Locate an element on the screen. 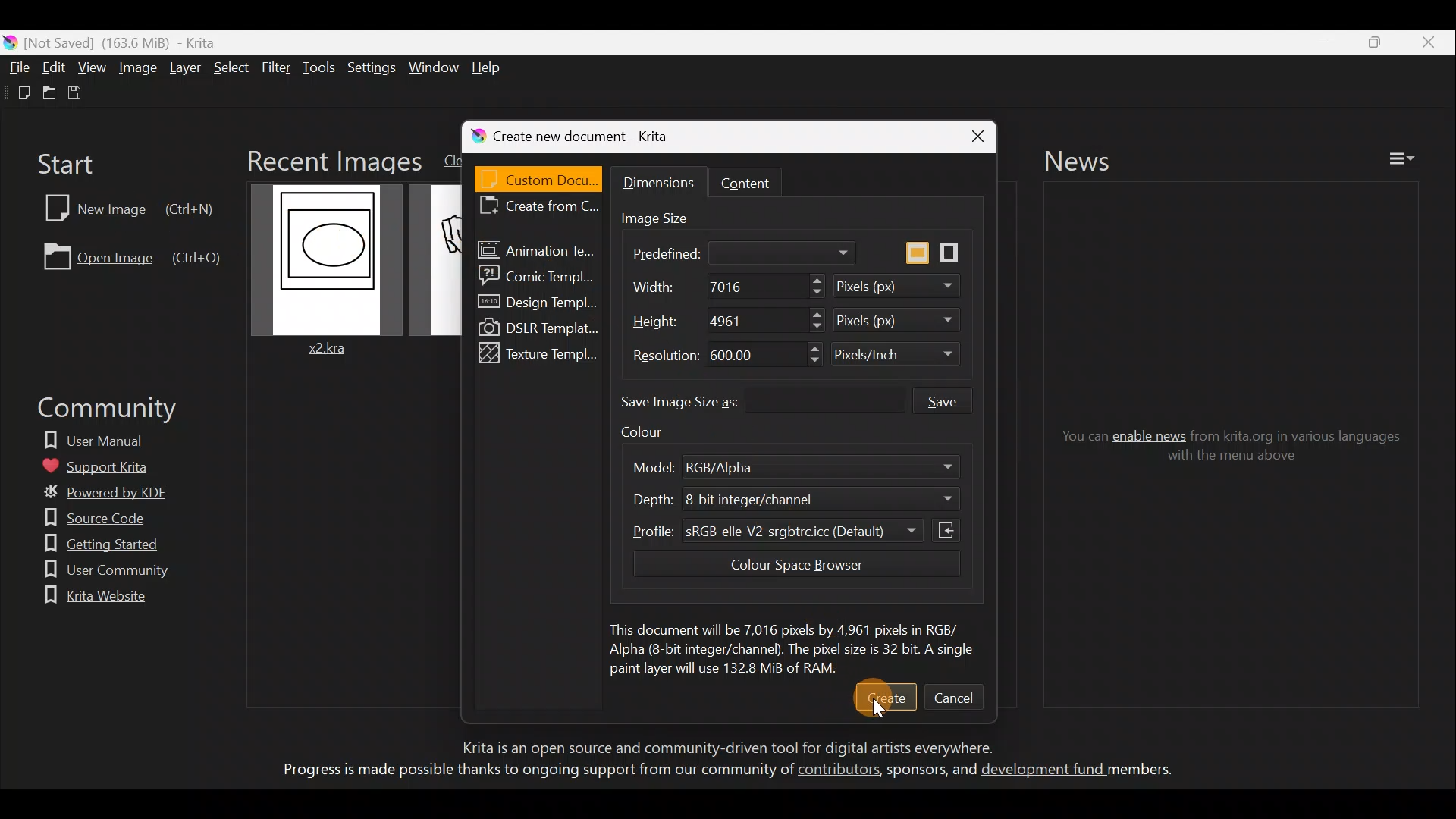   News is located at coordinates (1091, 160).